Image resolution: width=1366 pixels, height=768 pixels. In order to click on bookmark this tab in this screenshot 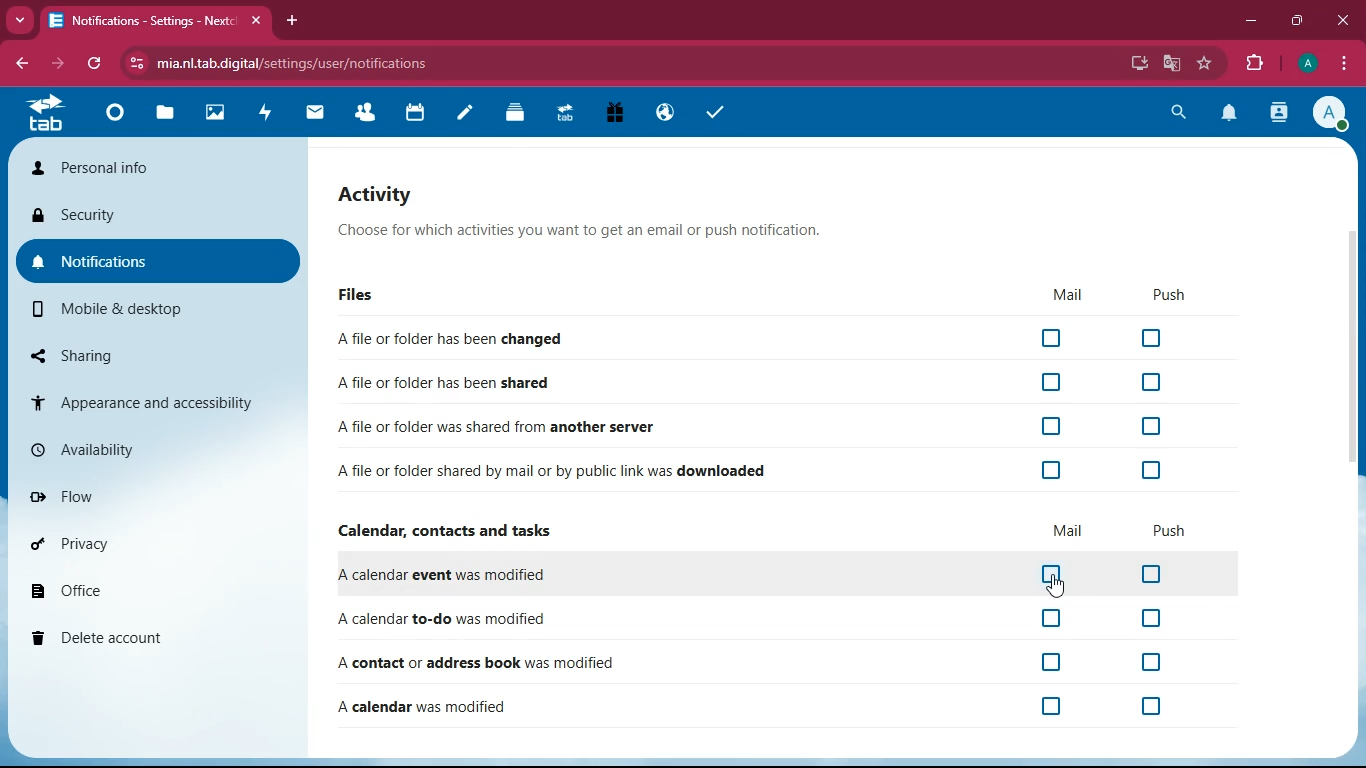, I will do `click(1205, 61)`.